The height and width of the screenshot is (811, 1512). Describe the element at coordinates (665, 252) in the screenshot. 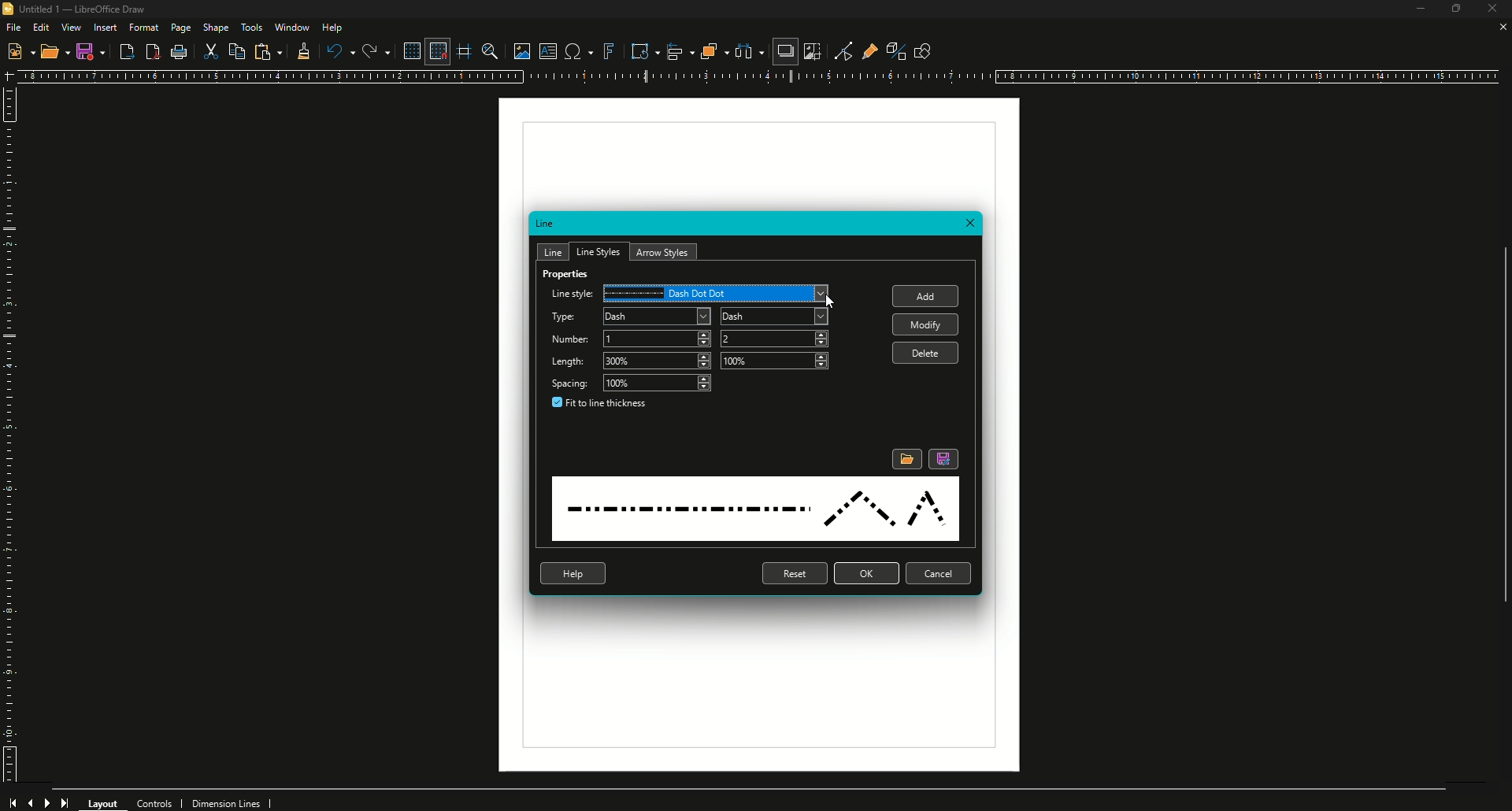

I see `Arrow Styles` at that location.